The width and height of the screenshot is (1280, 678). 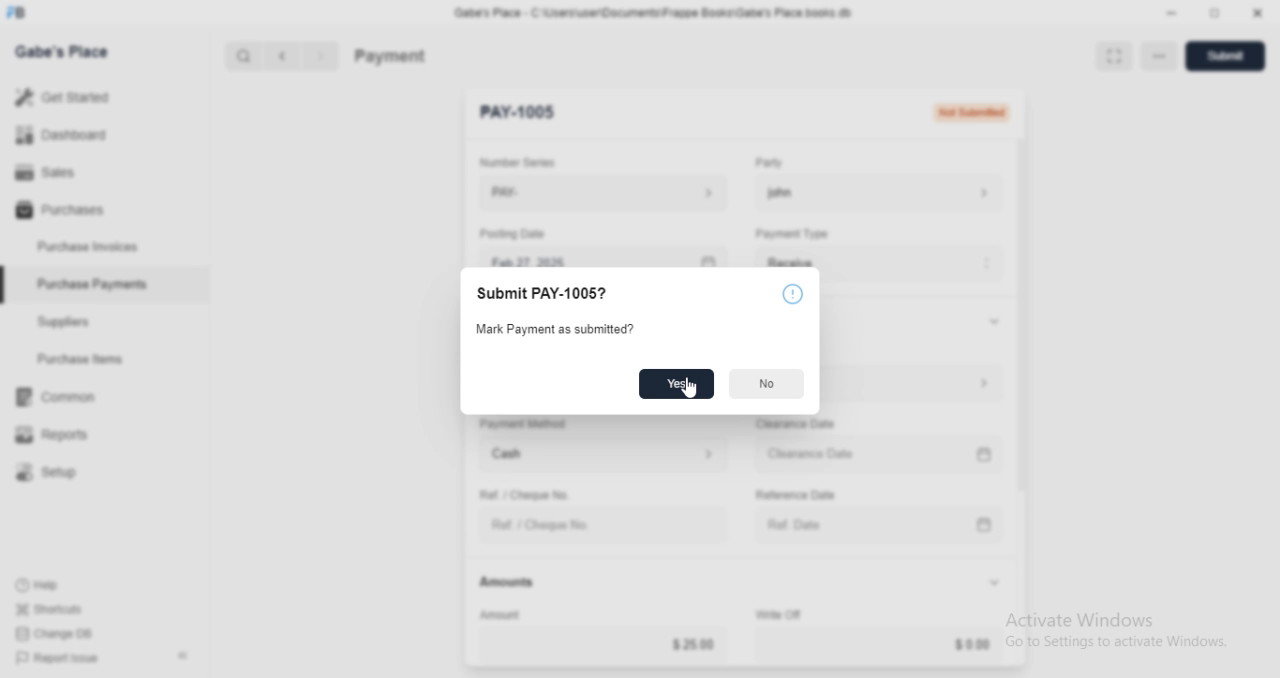 What do you see at coordinates (541, 293) in the screenshot?
I see `Submit PAY-1005?` at bounding box center [541, 293].